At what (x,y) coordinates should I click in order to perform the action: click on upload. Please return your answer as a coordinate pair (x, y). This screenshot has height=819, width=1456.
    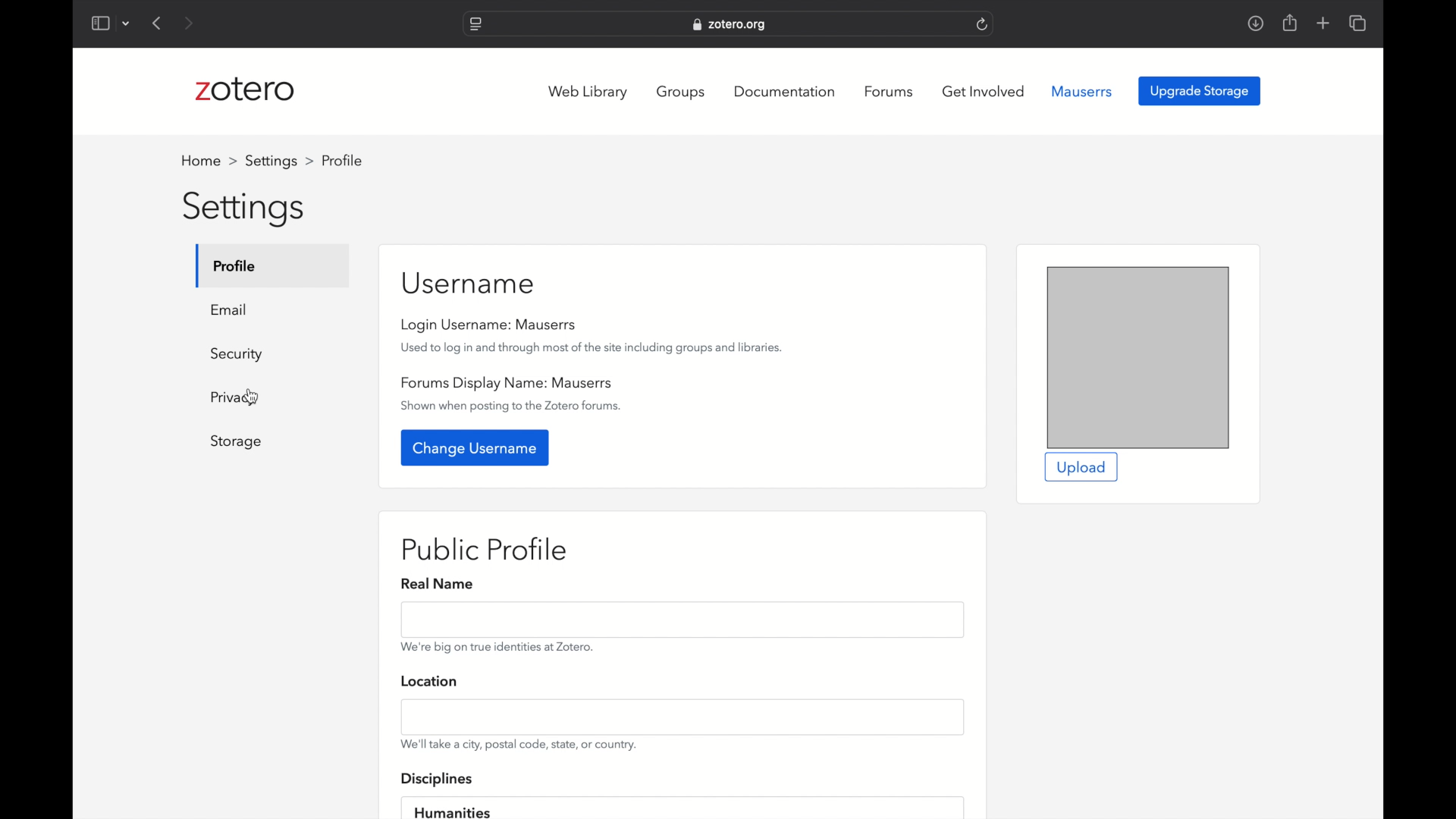
    Looking at the image, I should click on (1083, 468).